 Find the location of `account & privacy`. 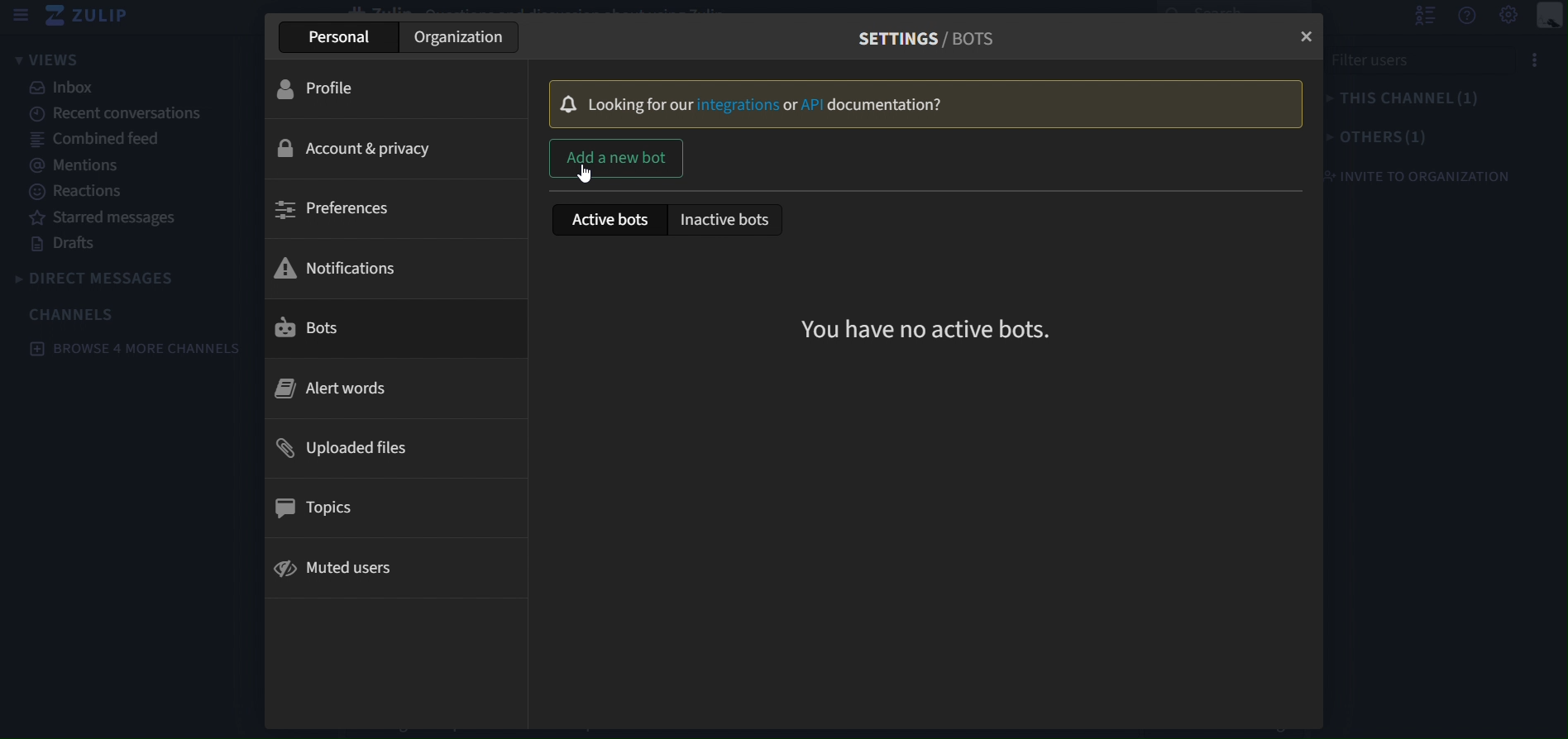

account & privacy is located at coordinates (388, 150).